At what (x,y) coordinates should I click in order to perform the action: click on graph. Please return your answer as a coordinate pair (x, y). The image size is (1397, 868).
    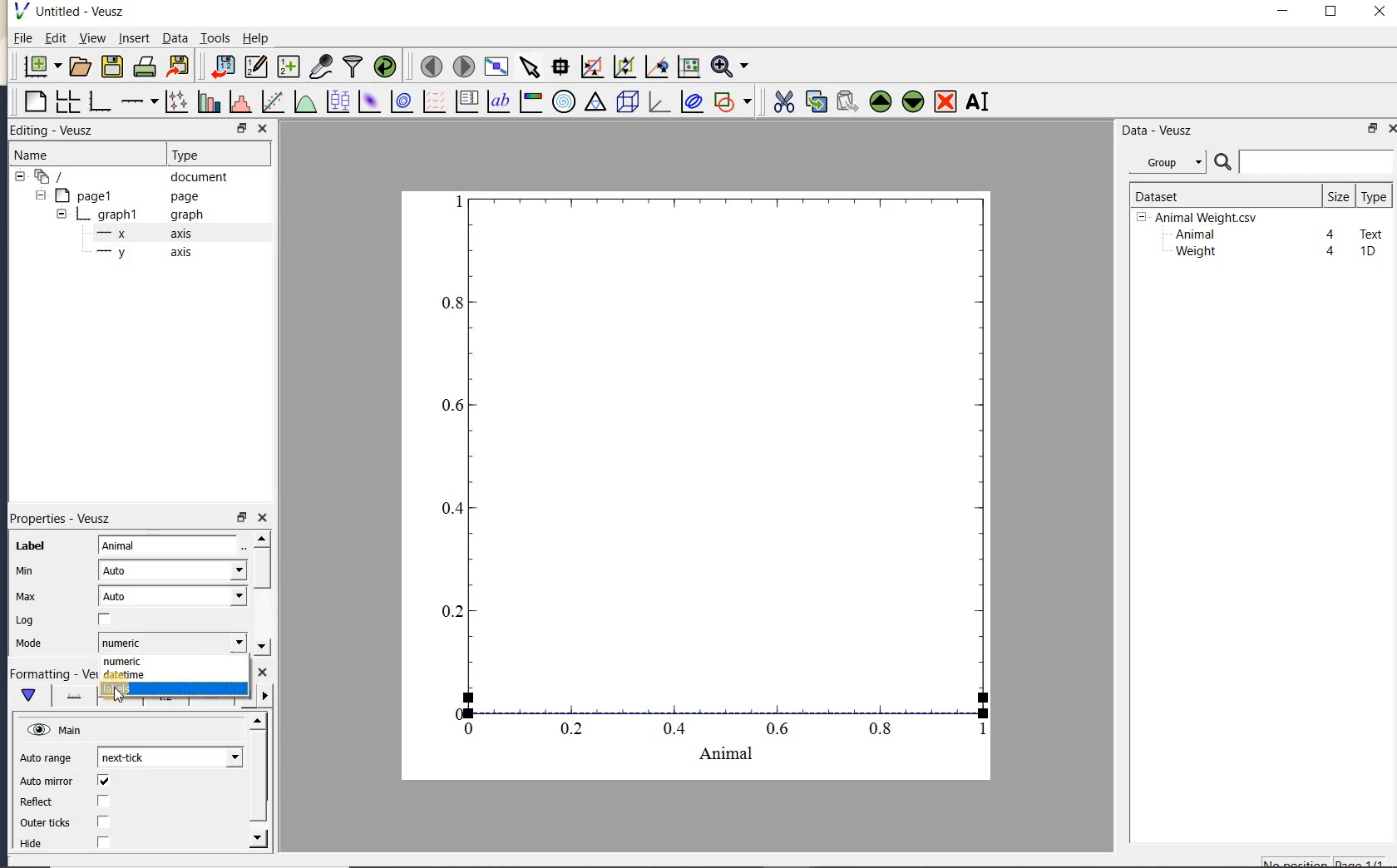
    Looking at the image, I should click on (717, 486).